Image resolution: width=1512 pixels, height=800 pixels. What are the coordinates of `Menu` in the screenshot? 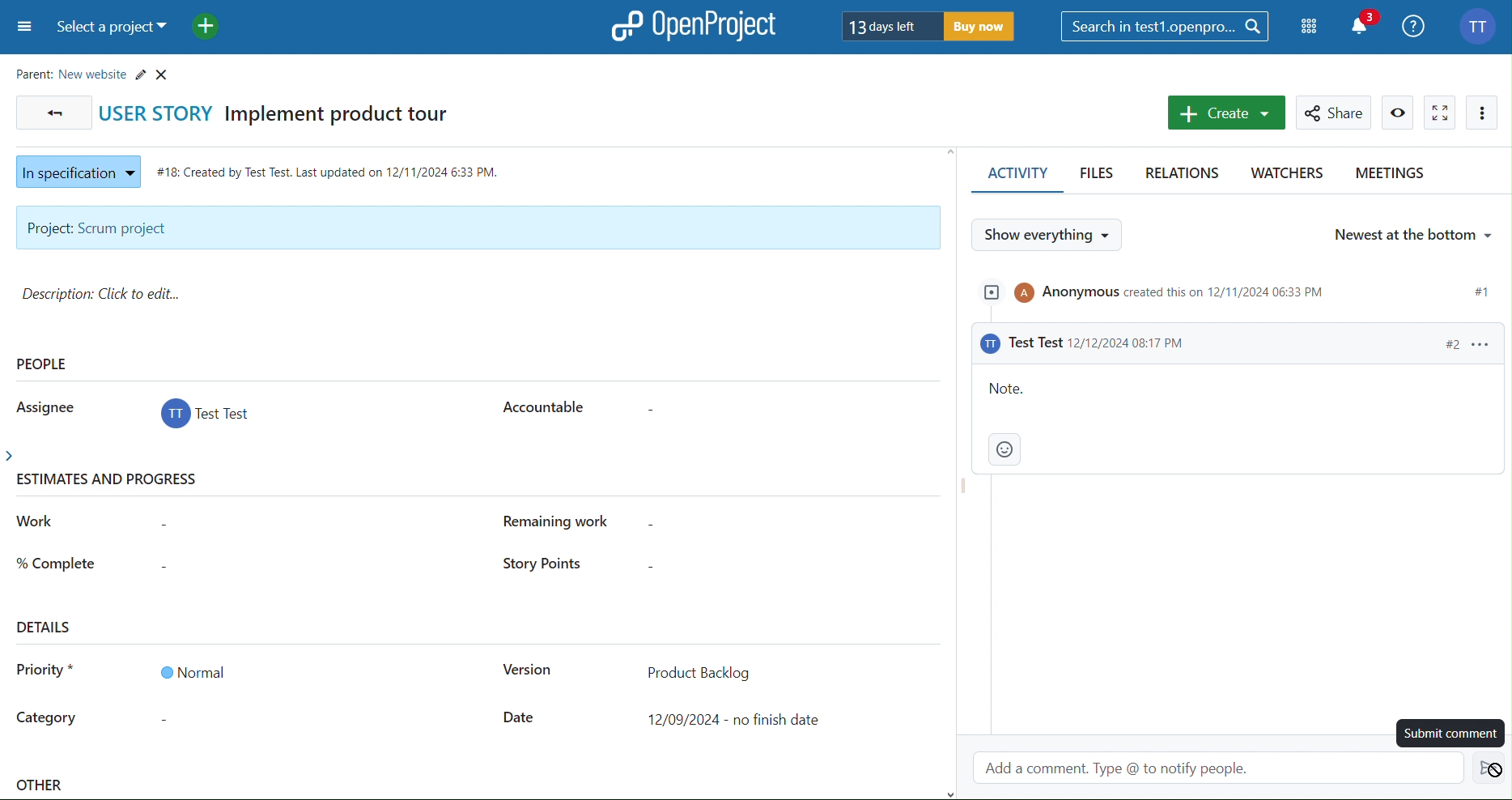 It's located at (22, 28).